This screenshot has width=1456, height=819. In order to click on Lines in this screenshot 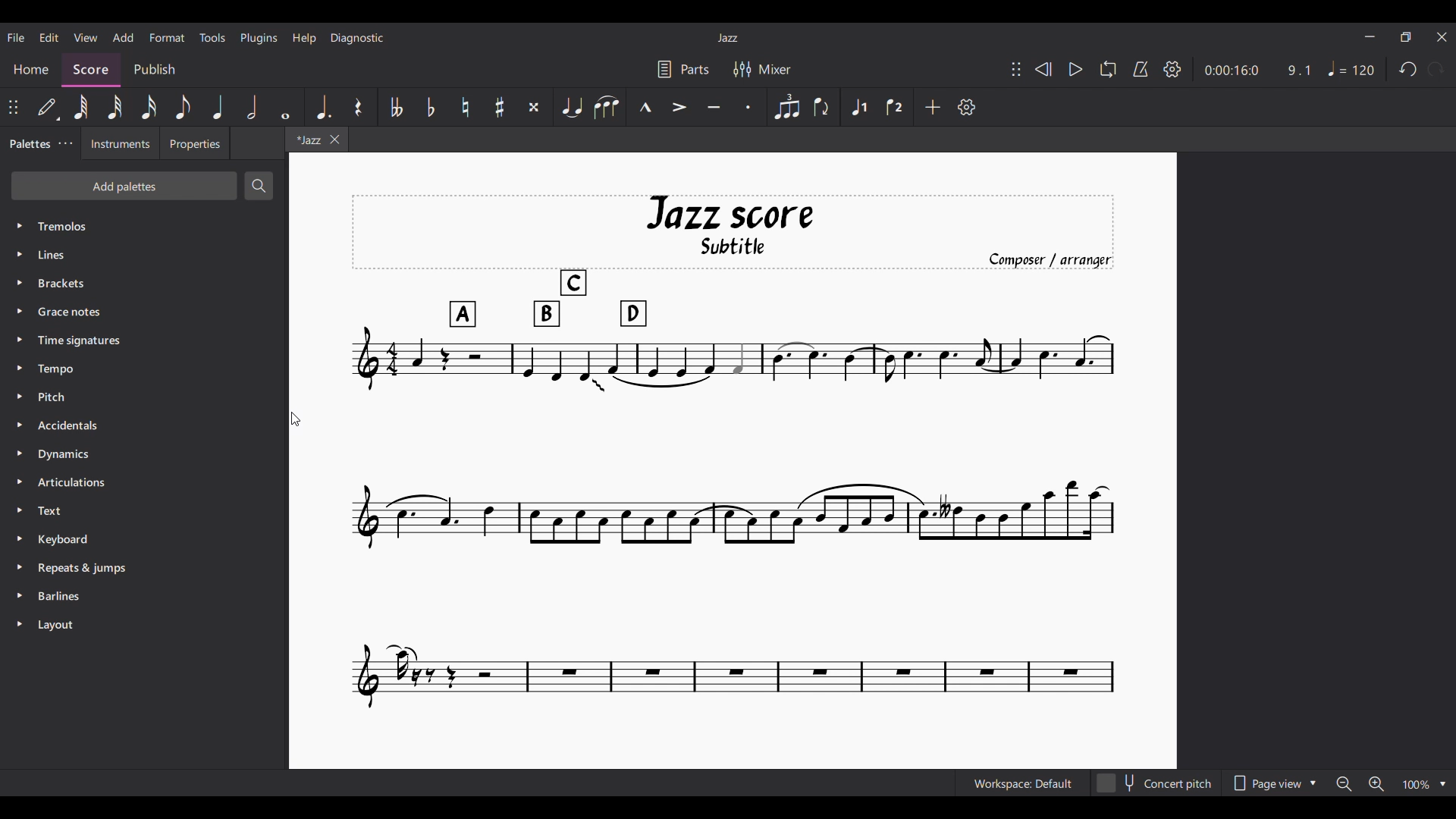, I will do `click(144, 254)`.